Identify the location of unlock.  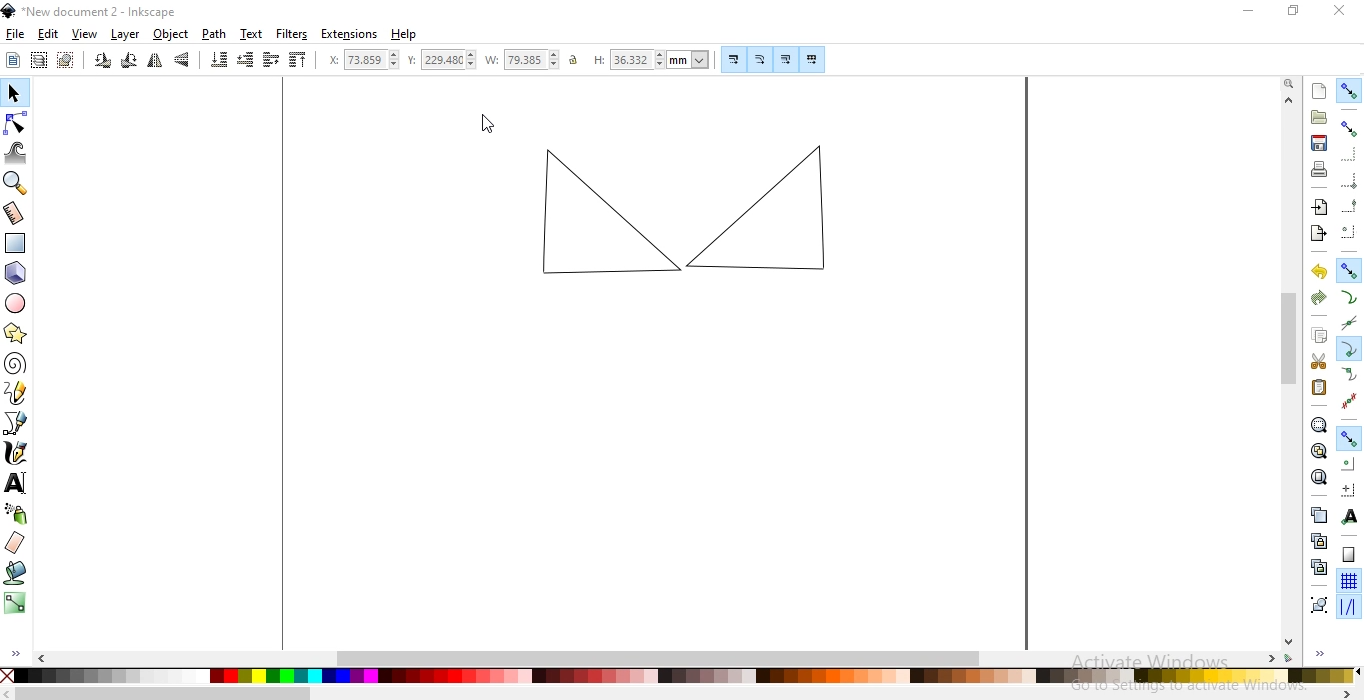
(577, 59).